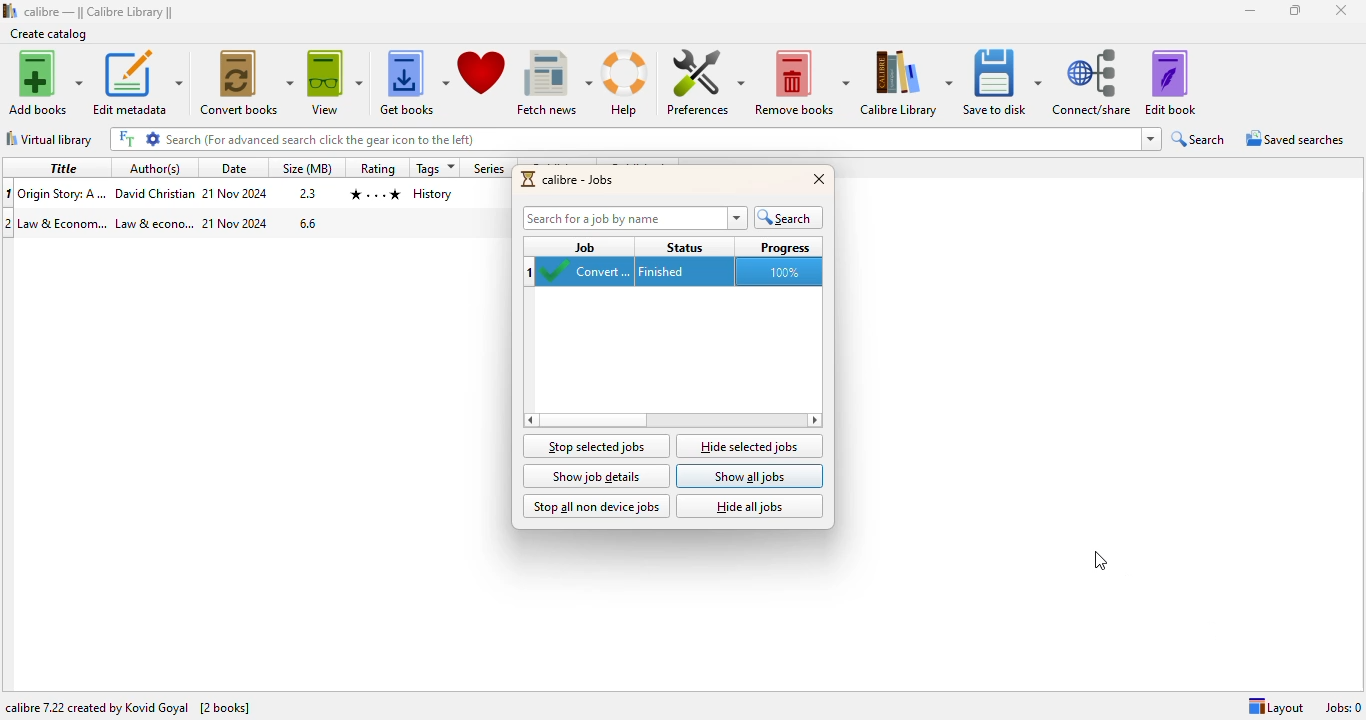  What do you see at coordinates (789, 218) in the screenshot?
I see `search` at bounding box center [789, 218].